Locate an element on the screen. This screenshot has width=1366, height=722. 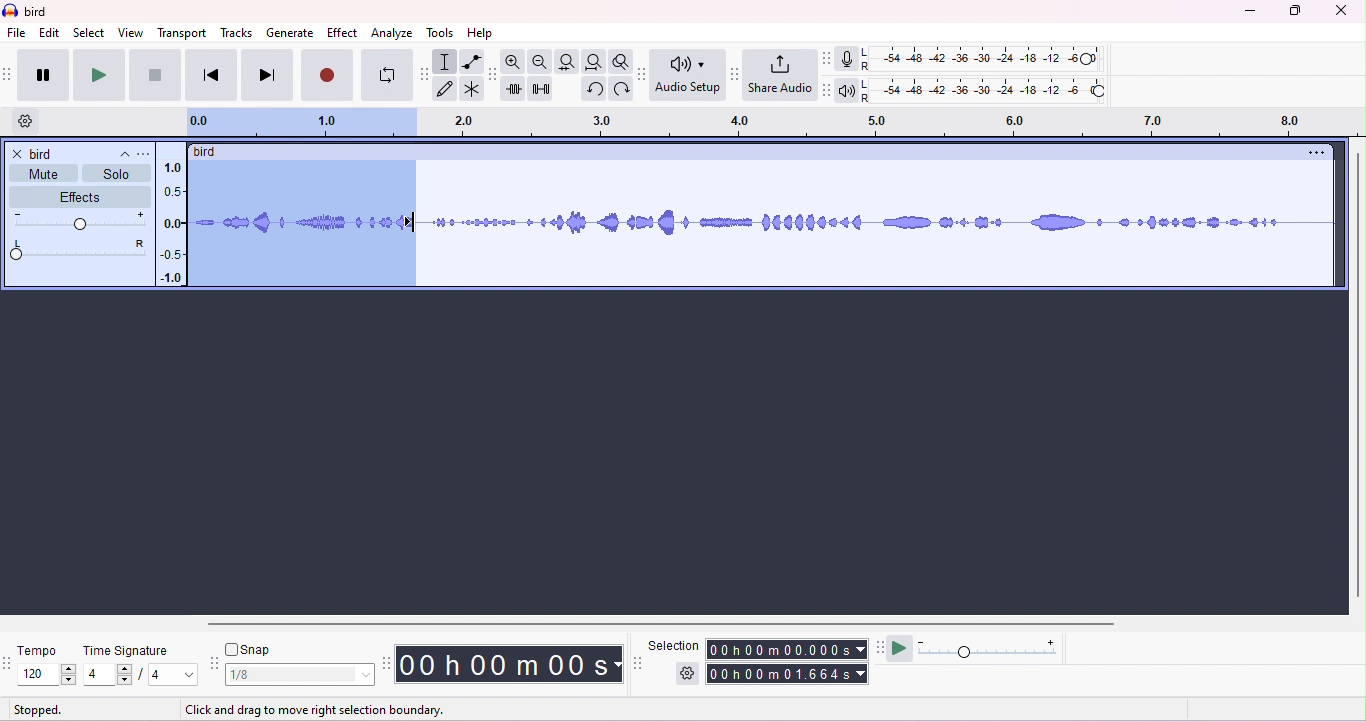
previous is located at coordinates (210, 76).